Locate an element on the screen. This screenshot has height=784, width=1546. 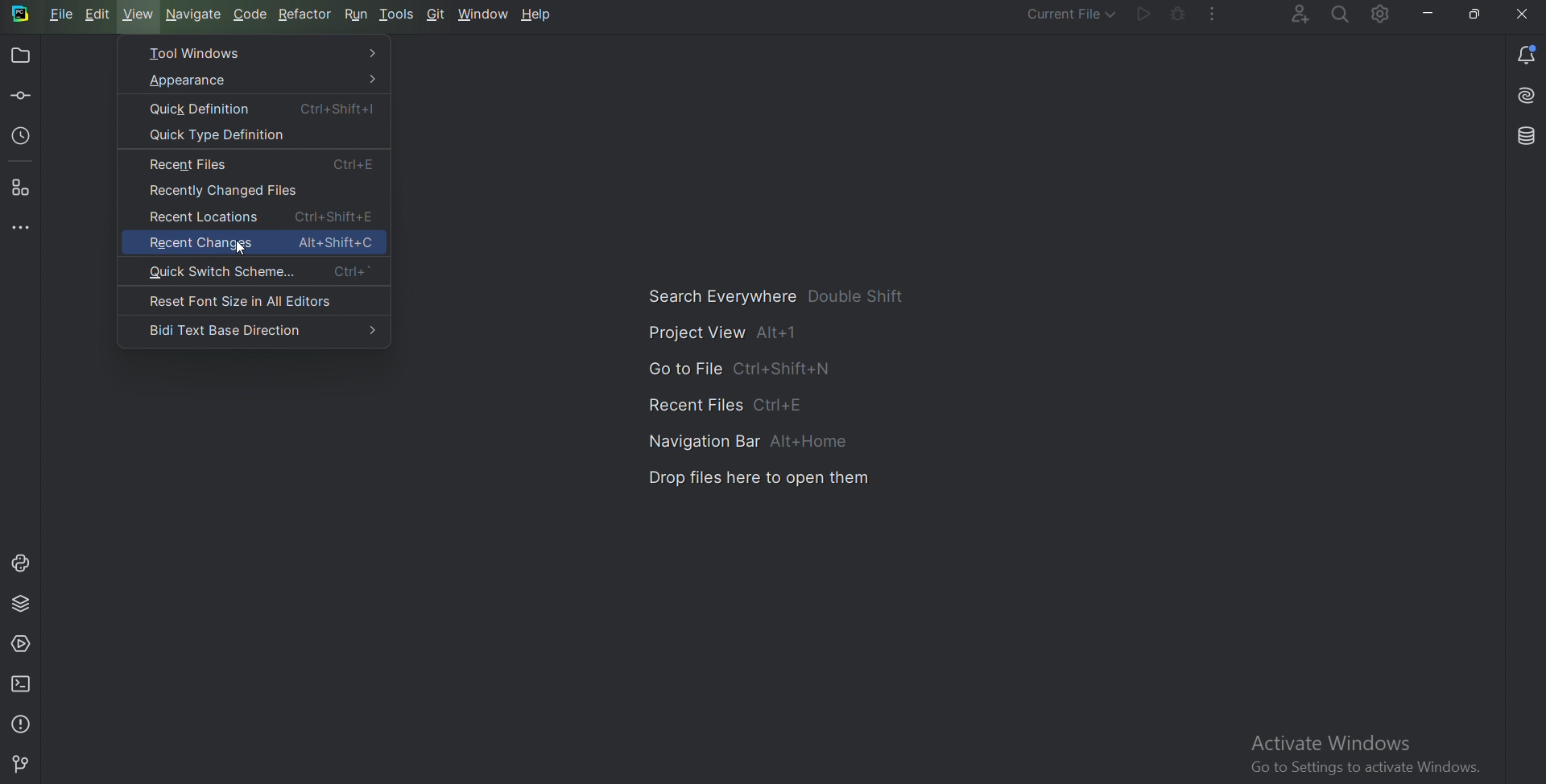
Project view is located at coordinates (723, 332).